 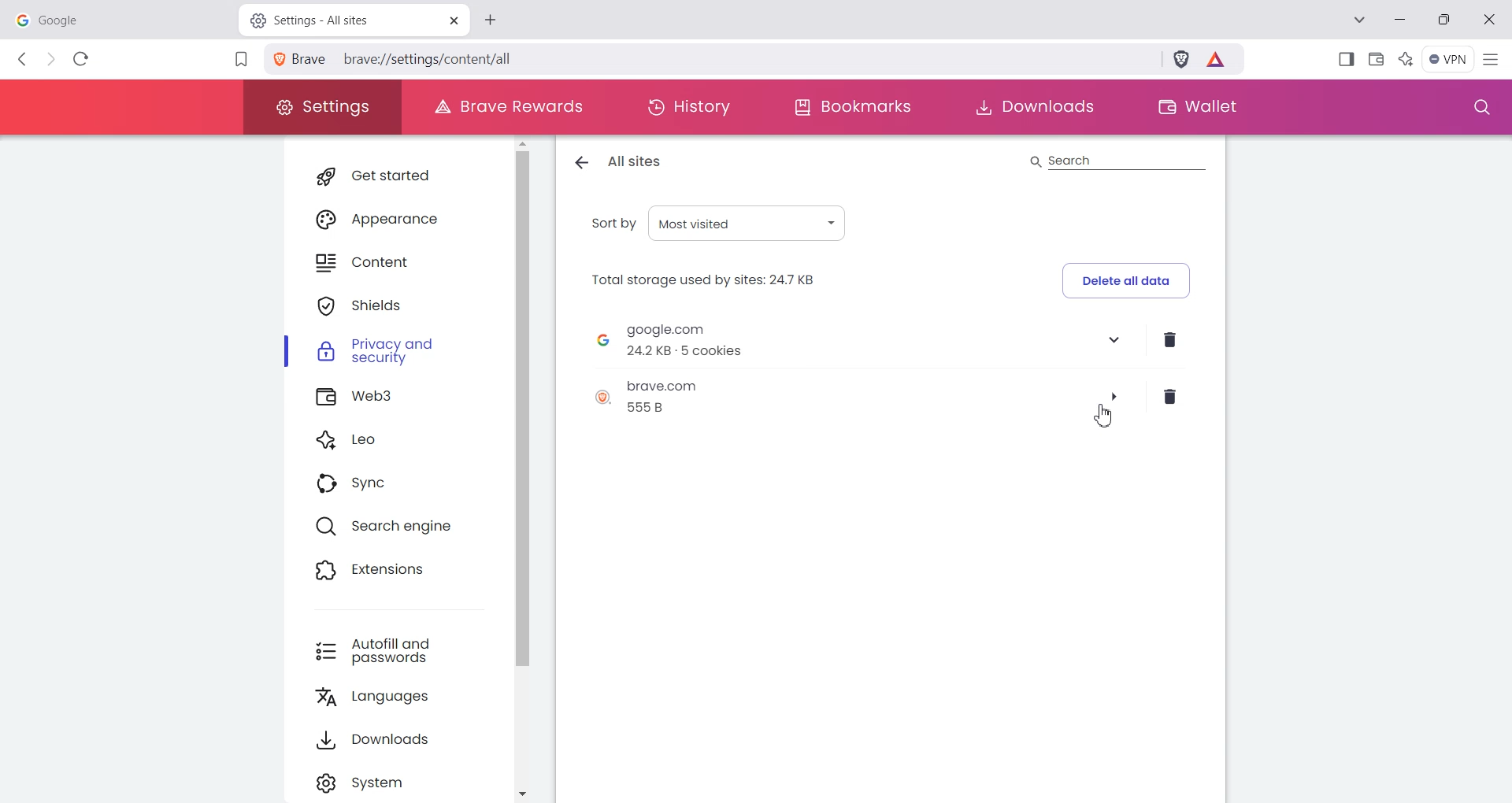 I want to click on Appearance, so click(x=388, y=217).